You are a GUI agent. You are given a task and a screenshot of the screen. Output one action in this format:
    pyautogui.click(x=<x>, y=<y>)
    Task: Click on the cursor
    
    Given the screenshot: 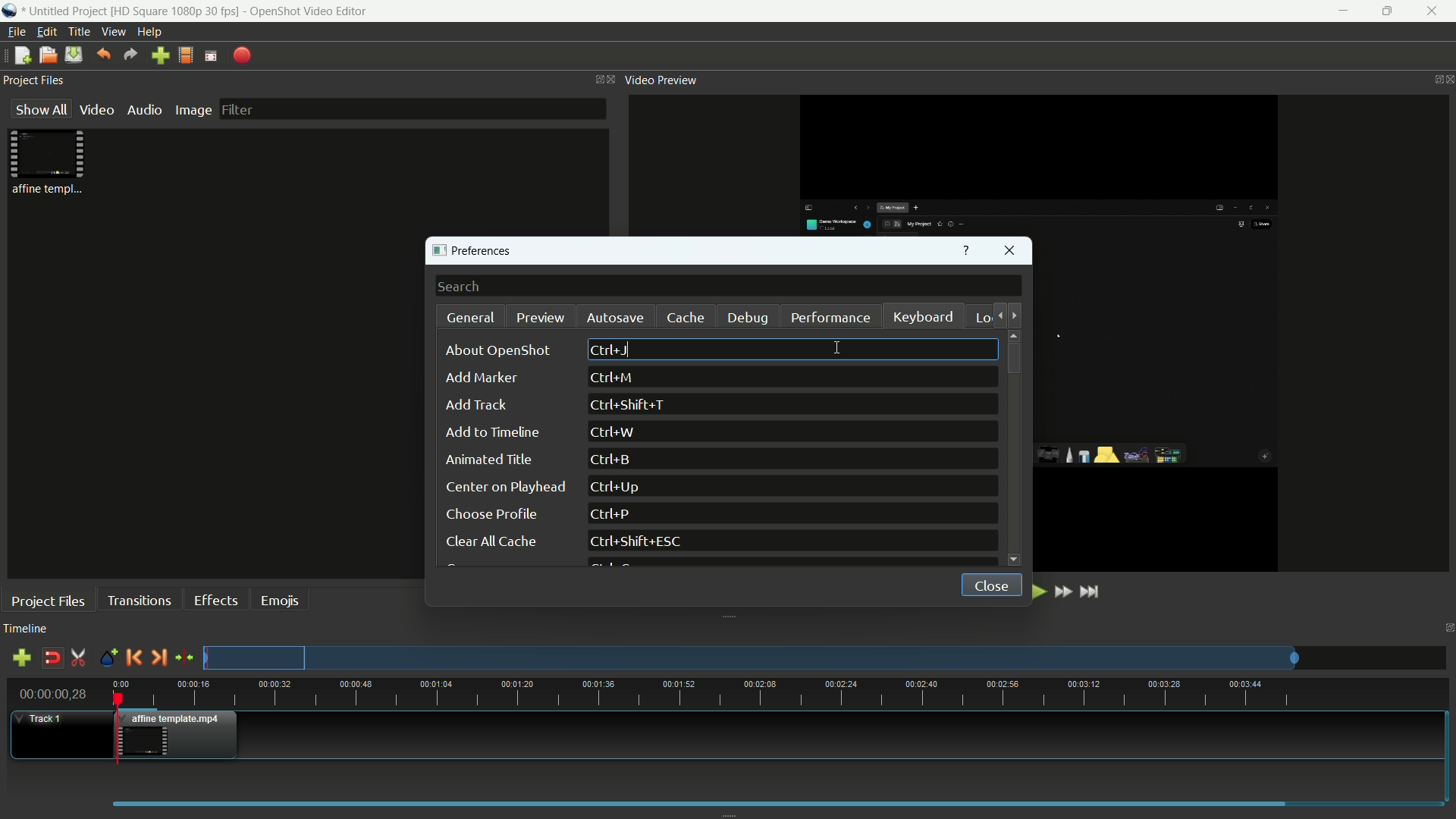 What is the action you would take?
    pyautogui.click(x=839, y=348)
    